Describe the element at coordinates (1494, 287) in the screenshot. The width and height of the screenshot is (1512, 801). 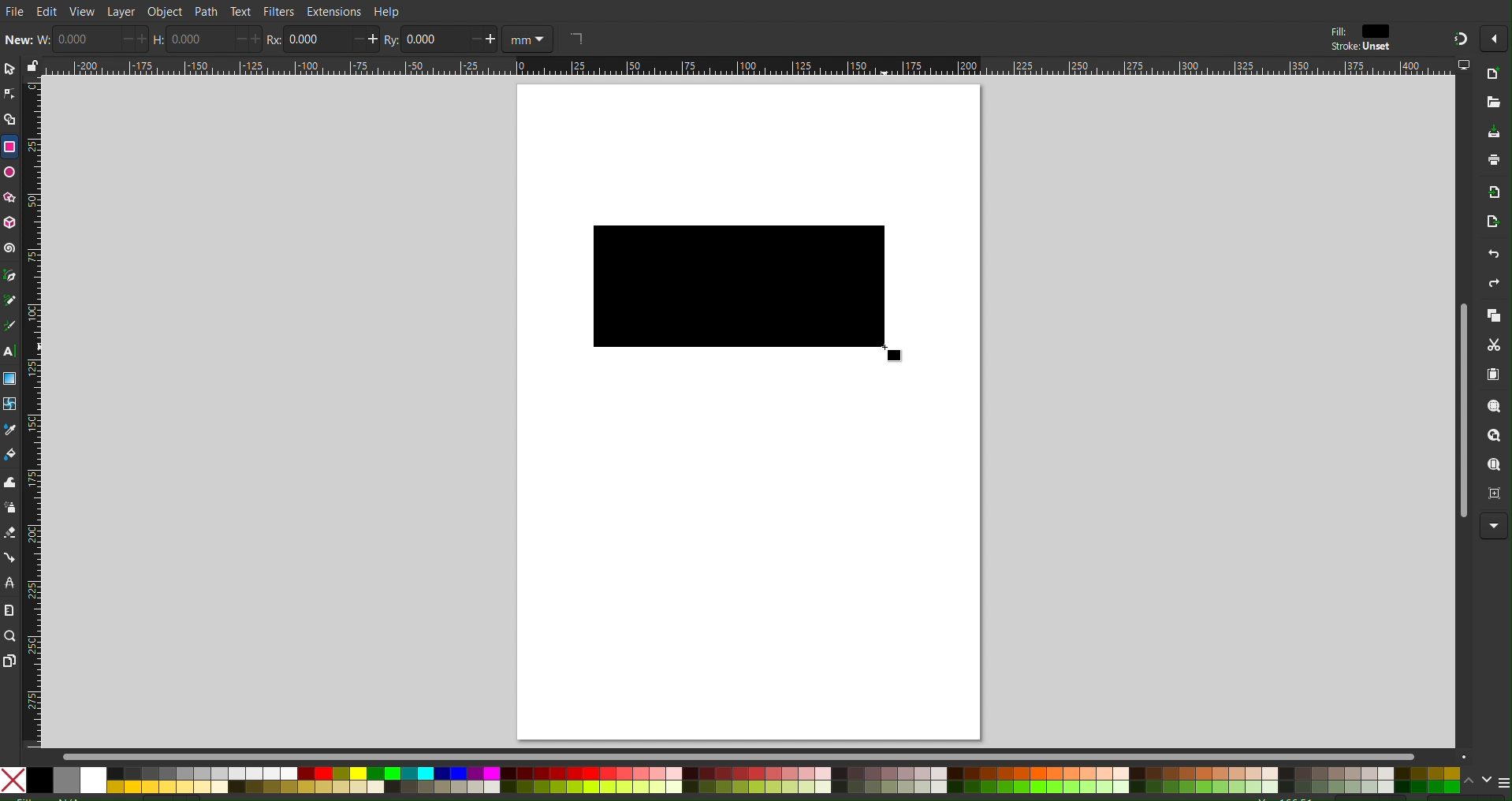
I see `Redo` at that location.